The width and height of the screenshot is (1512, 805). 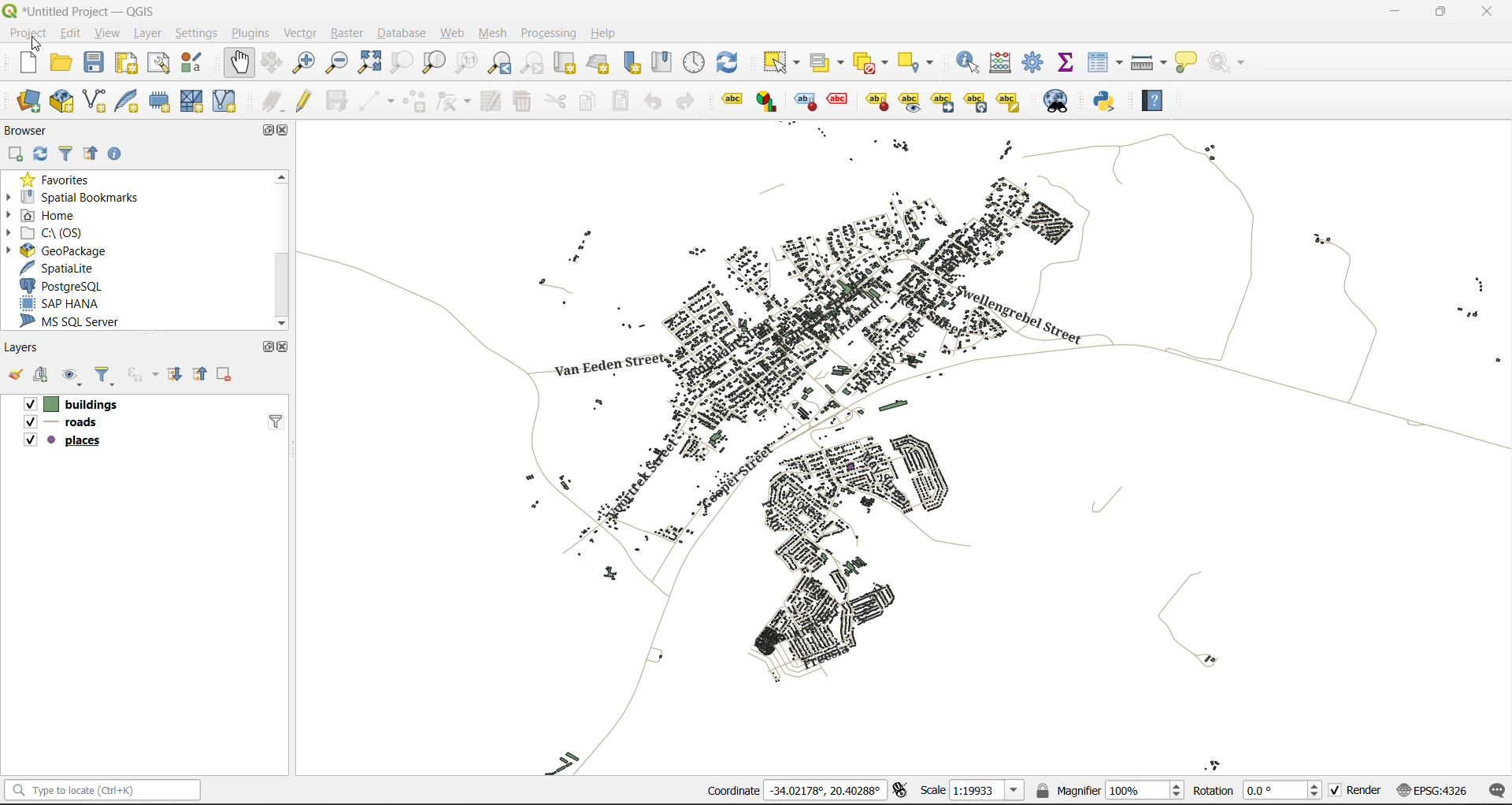 What do you see at coordinates (11, 376) in the screenshot?
I see `open` at bounding box center [11, 376].